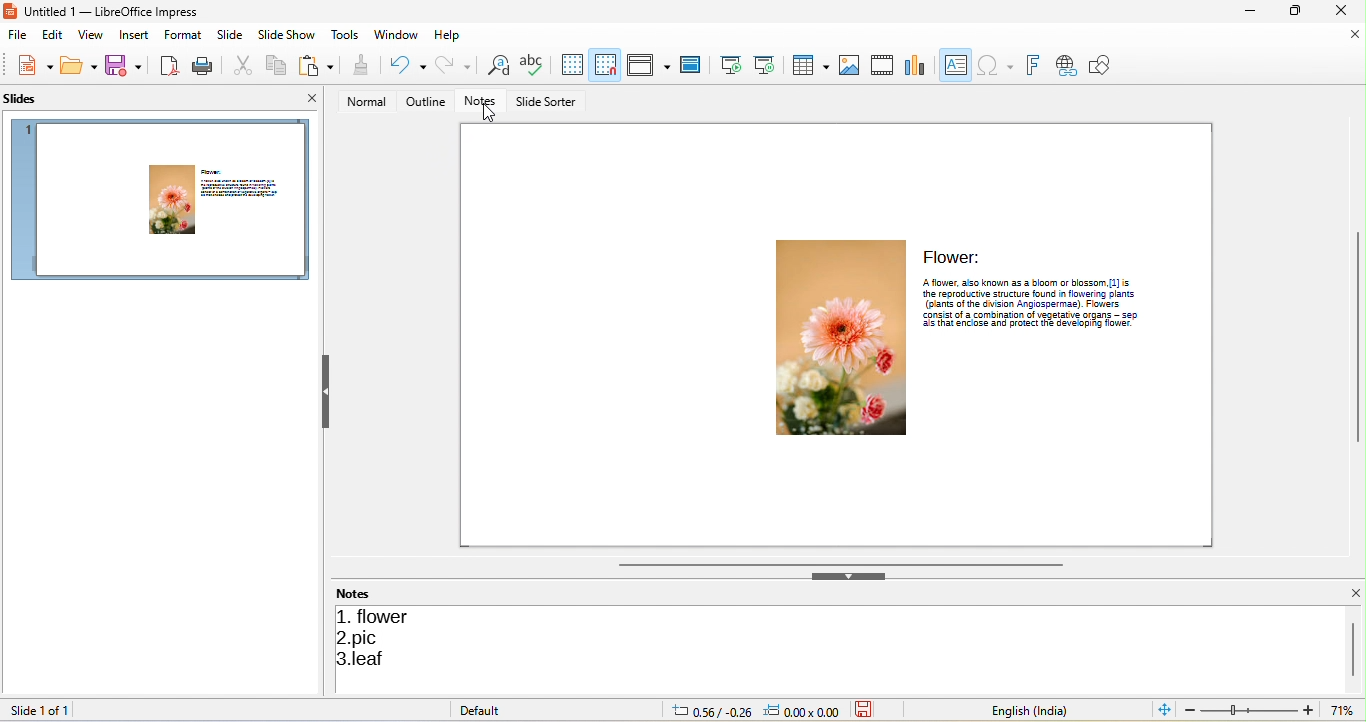 The image size is (1366, 722). Describe the element at coordinates (809, 63) in the screenshot. I see `table` at that location.